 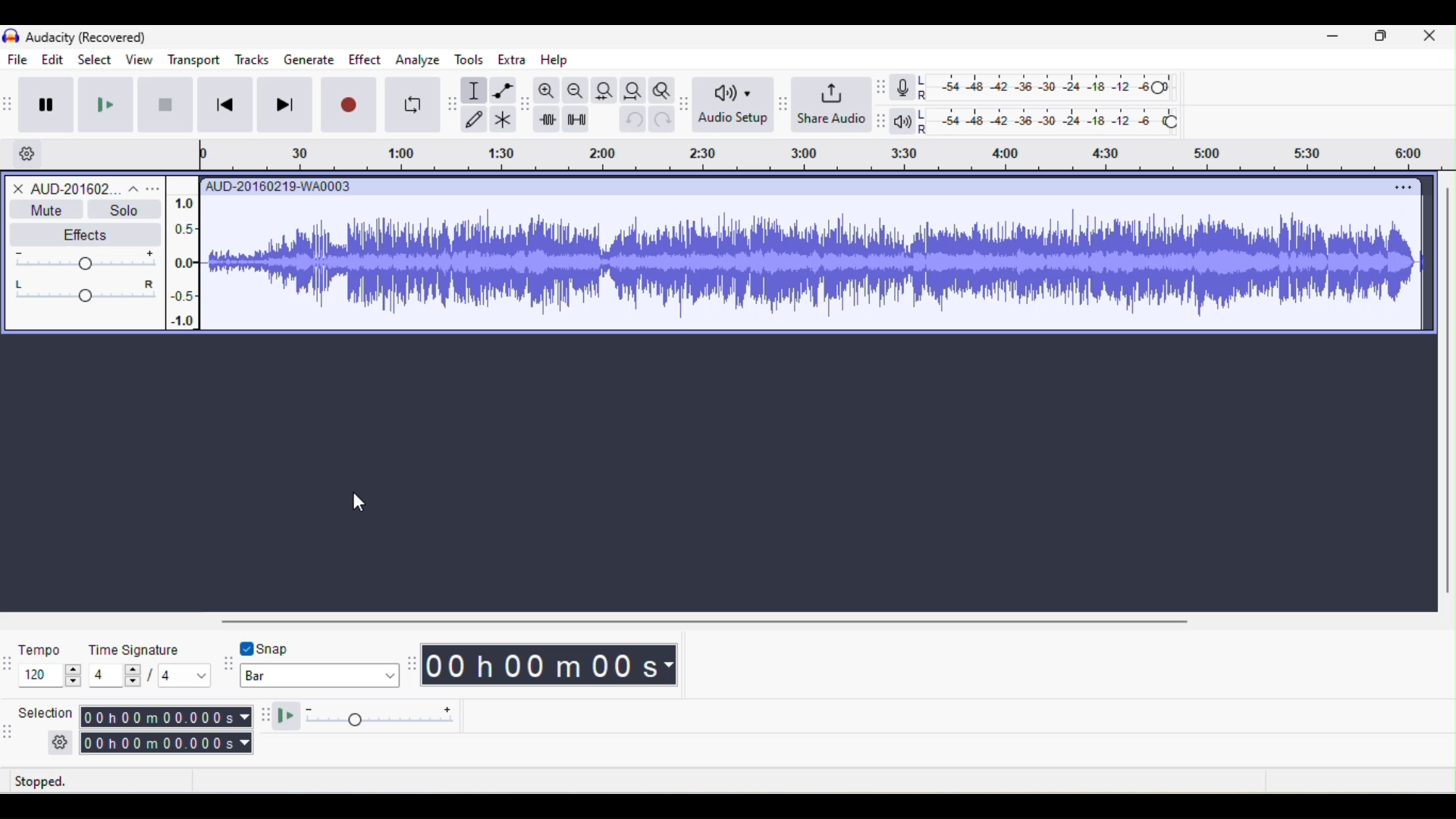 I want to click on redo, so click(x=663, y=124).